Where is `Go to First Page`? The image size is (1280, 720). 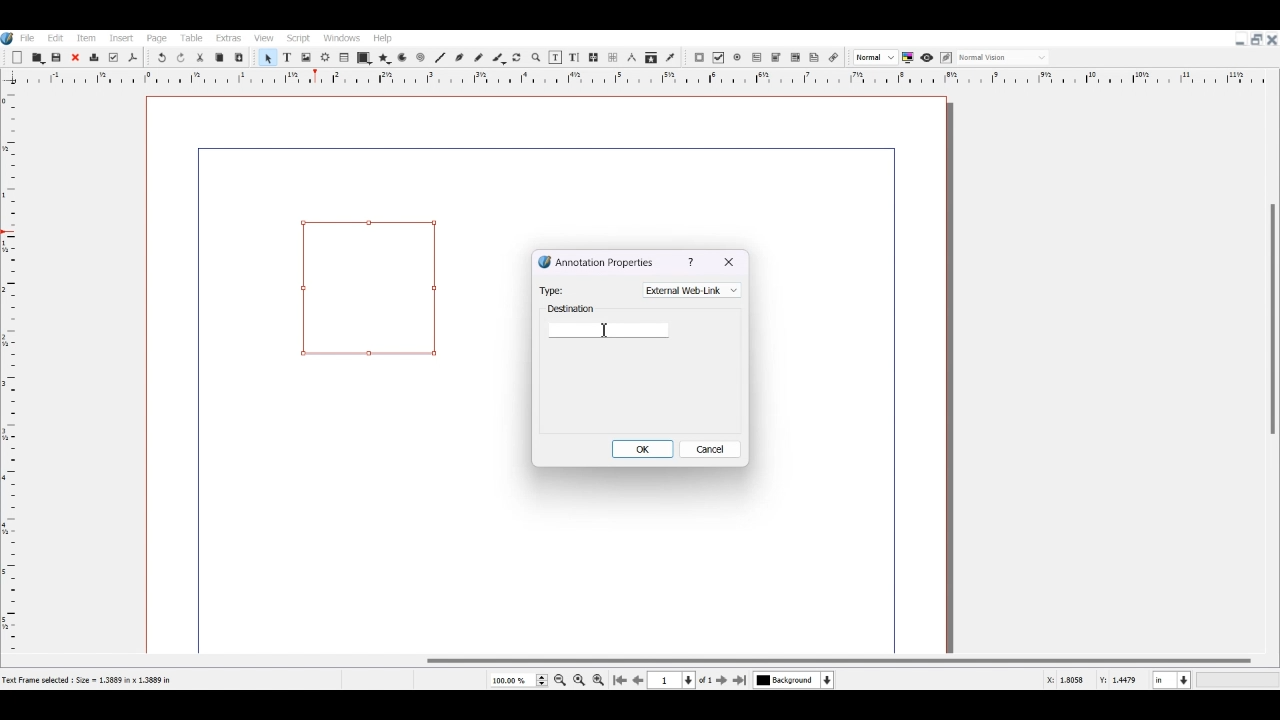 Go to First Page is located at coordinates (620, 680).